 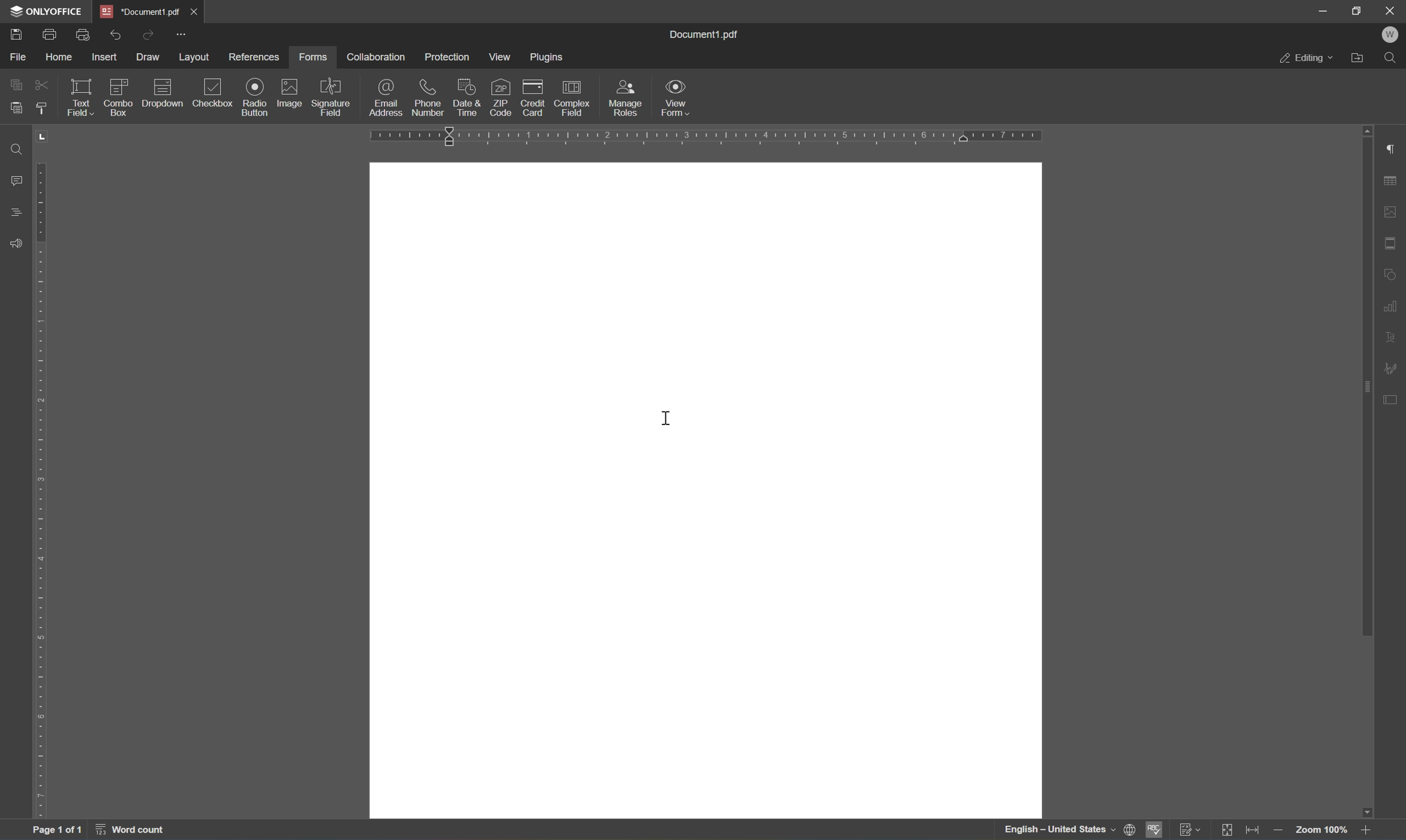 I want to click on find, so click(x=18, y=149).